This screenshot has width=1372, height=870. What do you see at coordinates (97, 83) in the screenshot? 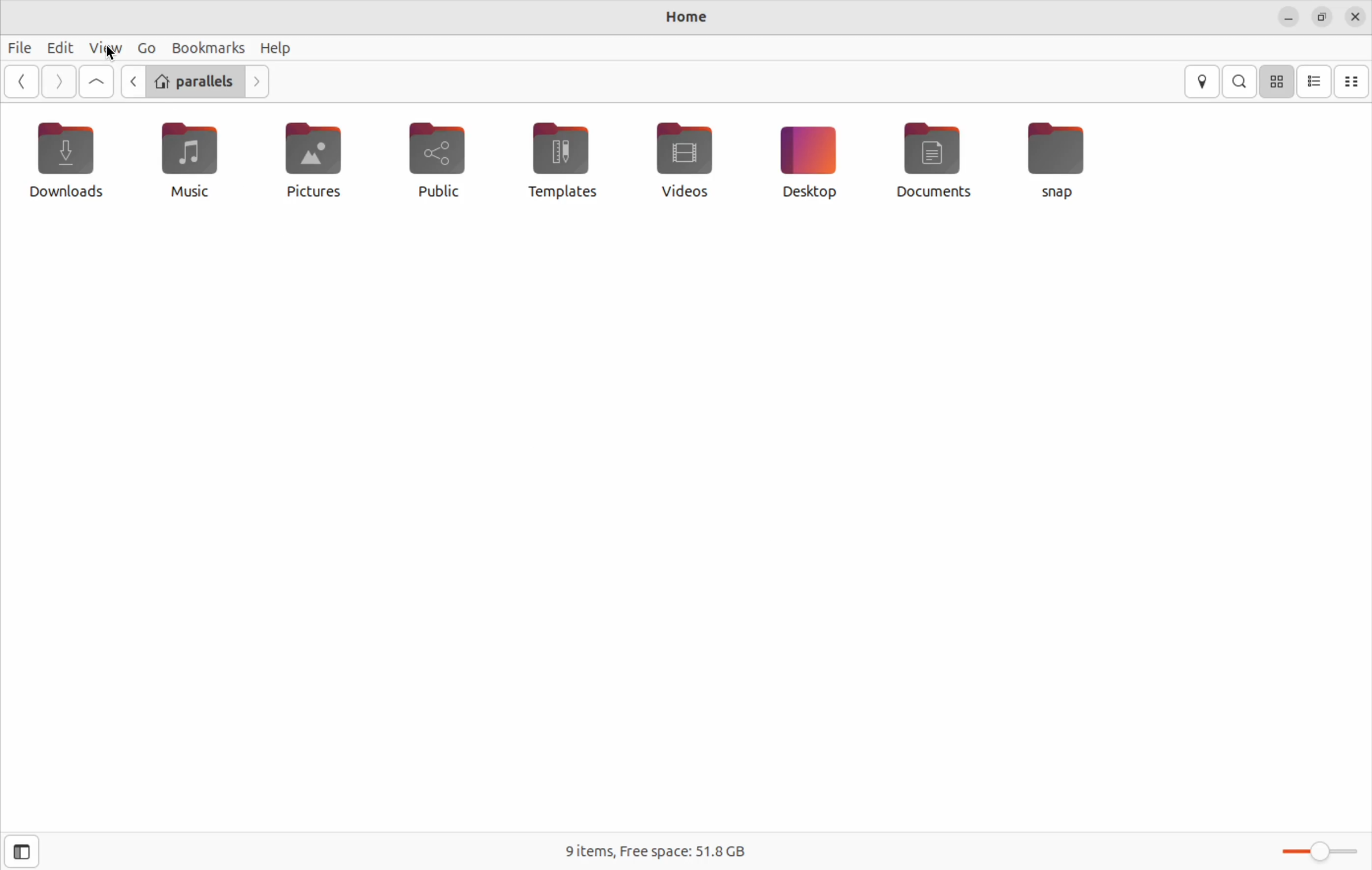
I see `Go to first page` at bounding box center [97, 83].